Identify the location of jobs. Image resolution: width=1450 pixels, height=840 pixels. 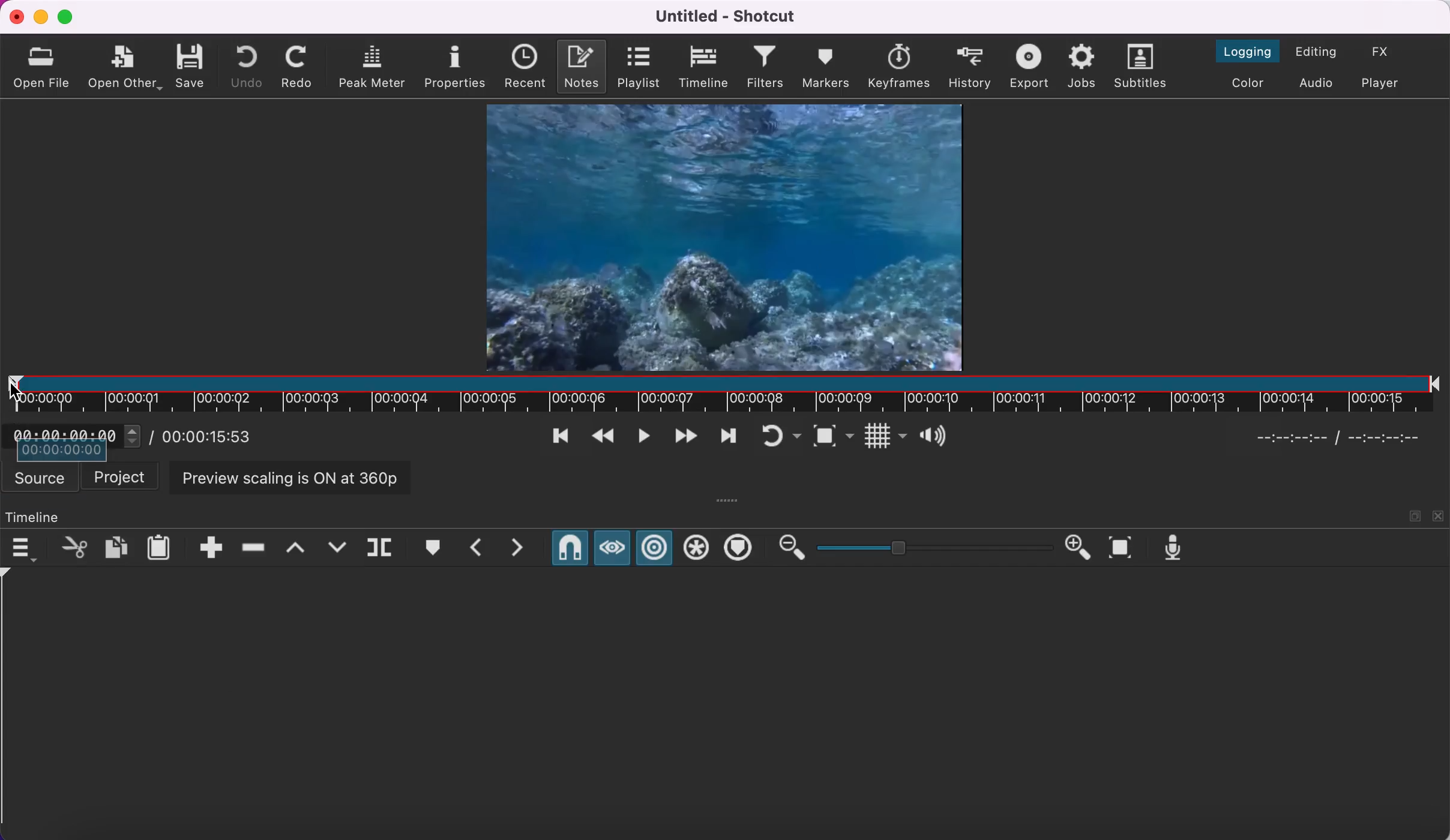
(1083, 67).